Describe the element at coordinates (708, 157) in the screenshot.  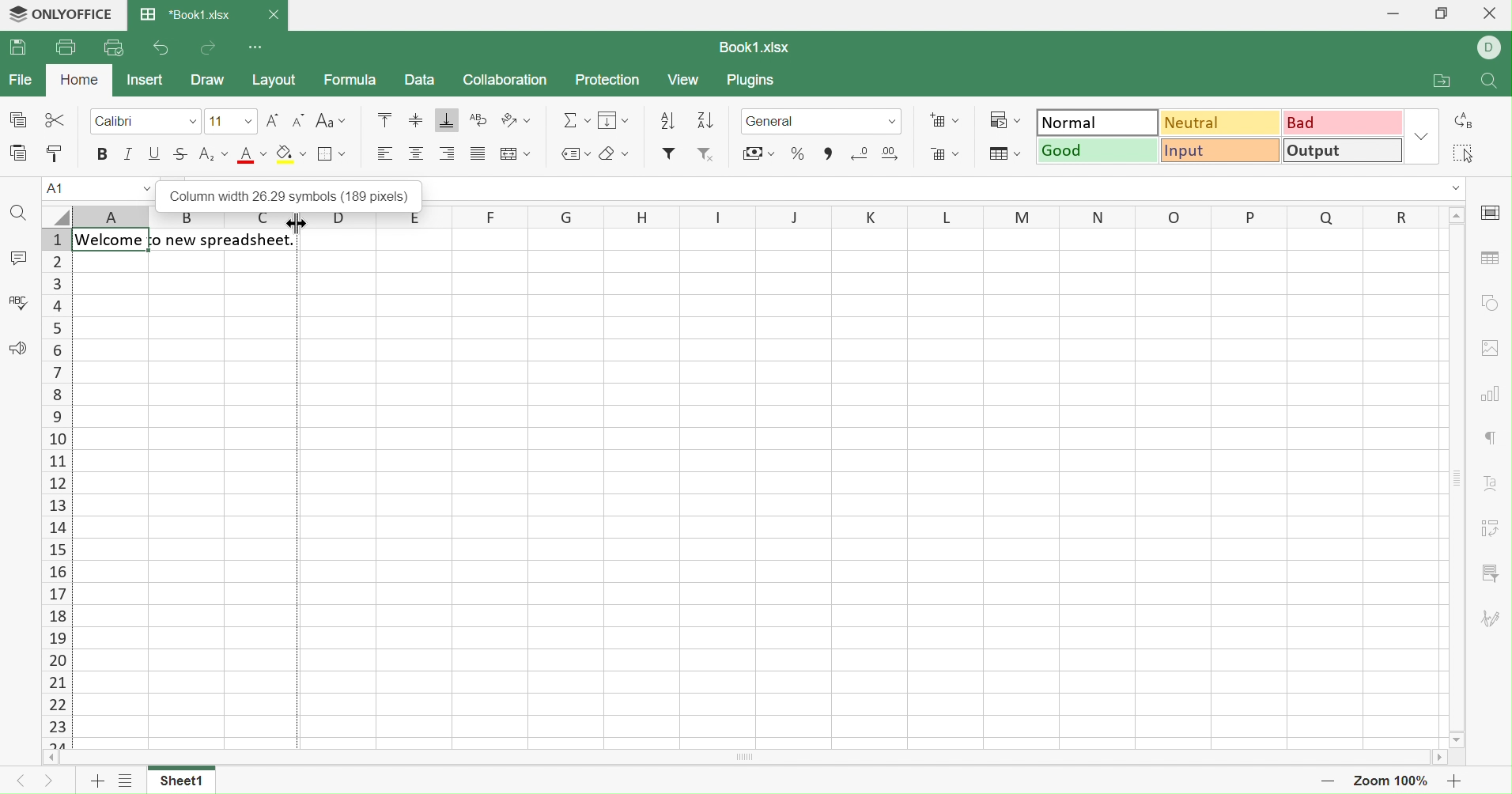
I see `Remove style` at that location.